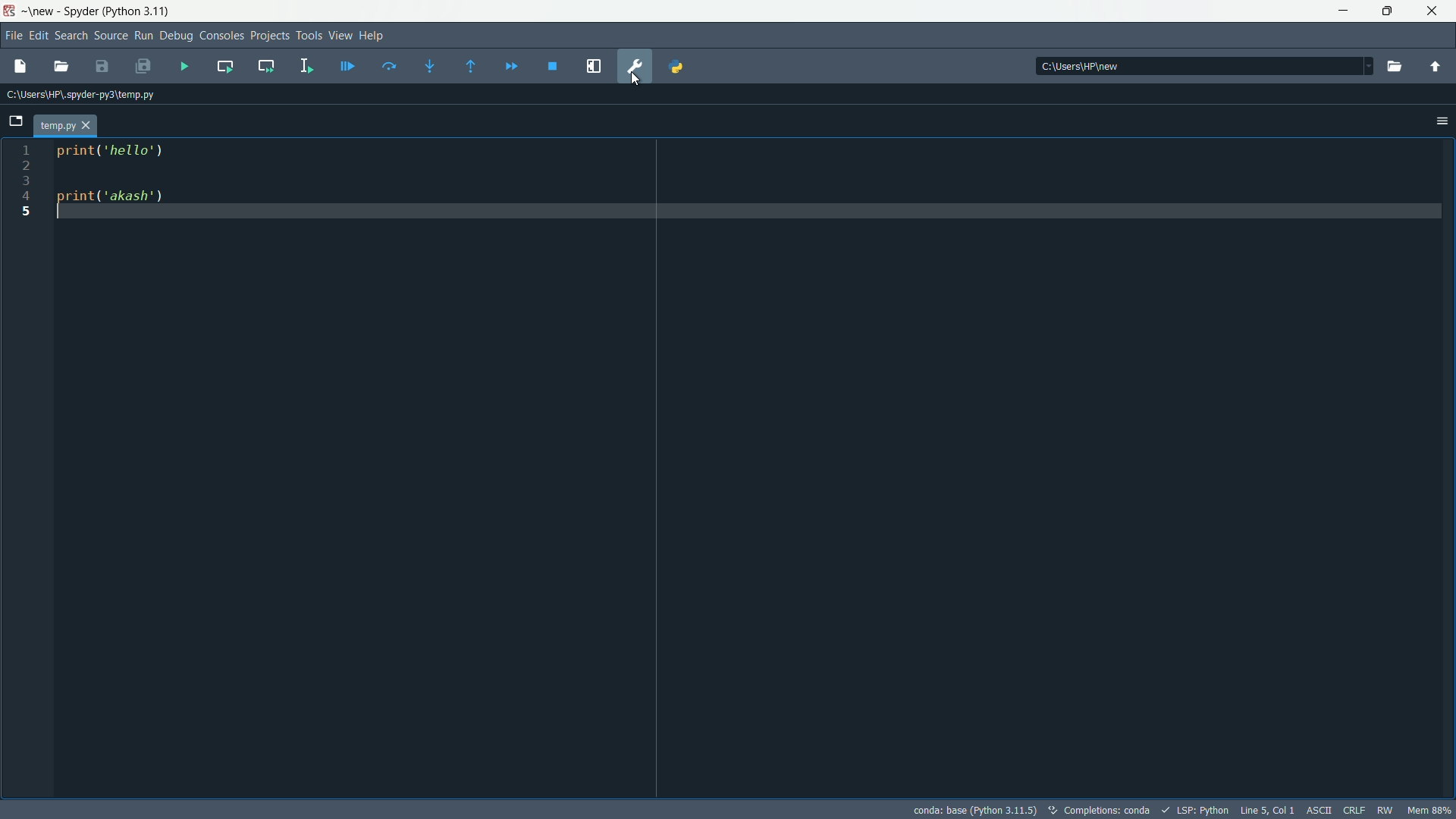 The height and width of the screenshot is (819, 1456). What do you see at coordinates (143, 36) in the screenshot?
I see `run menu` at bounding box center [143, 36].